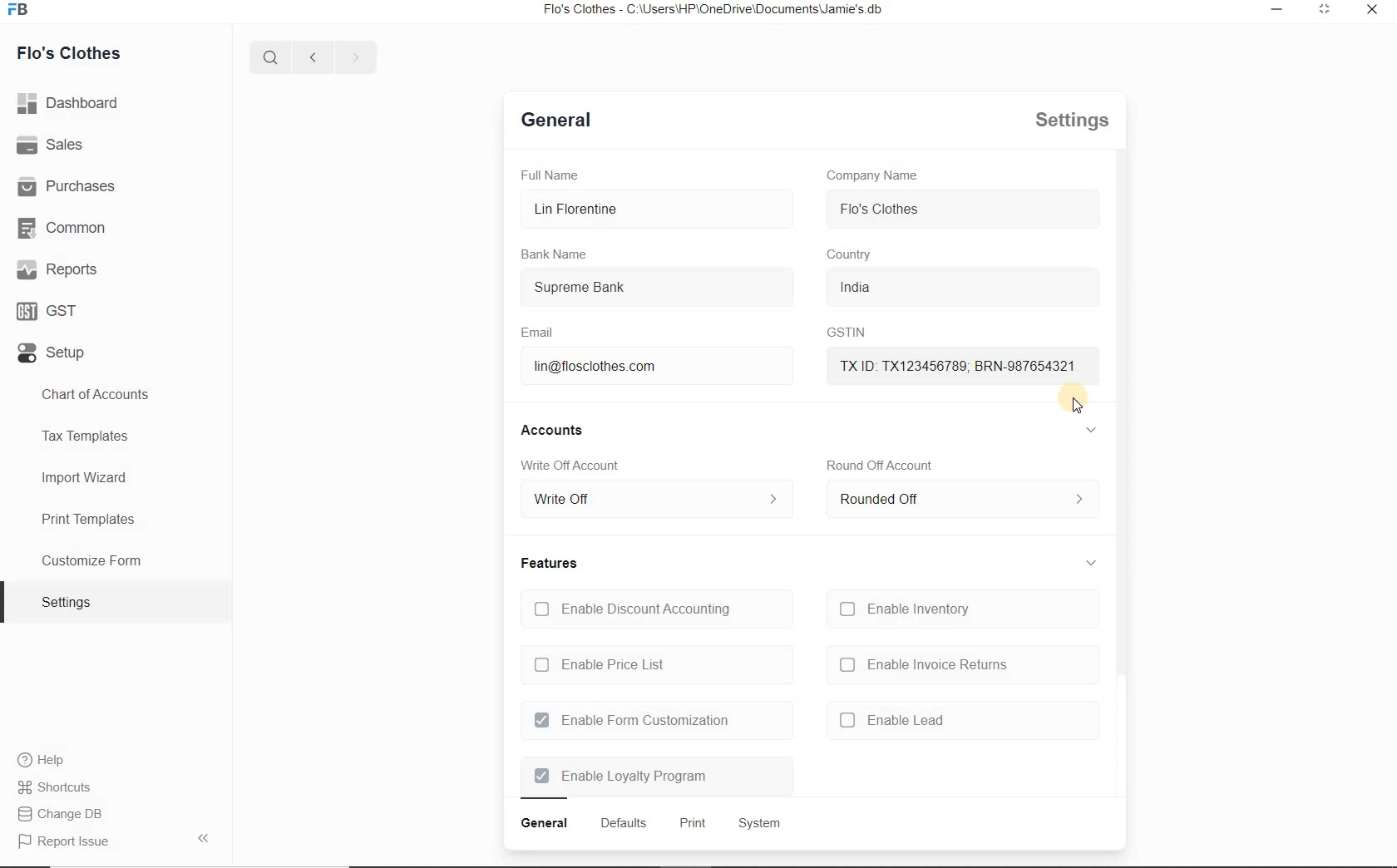 The height and width of the screenshot is (868, 1397). I want to click on GST, so click(50, 311).